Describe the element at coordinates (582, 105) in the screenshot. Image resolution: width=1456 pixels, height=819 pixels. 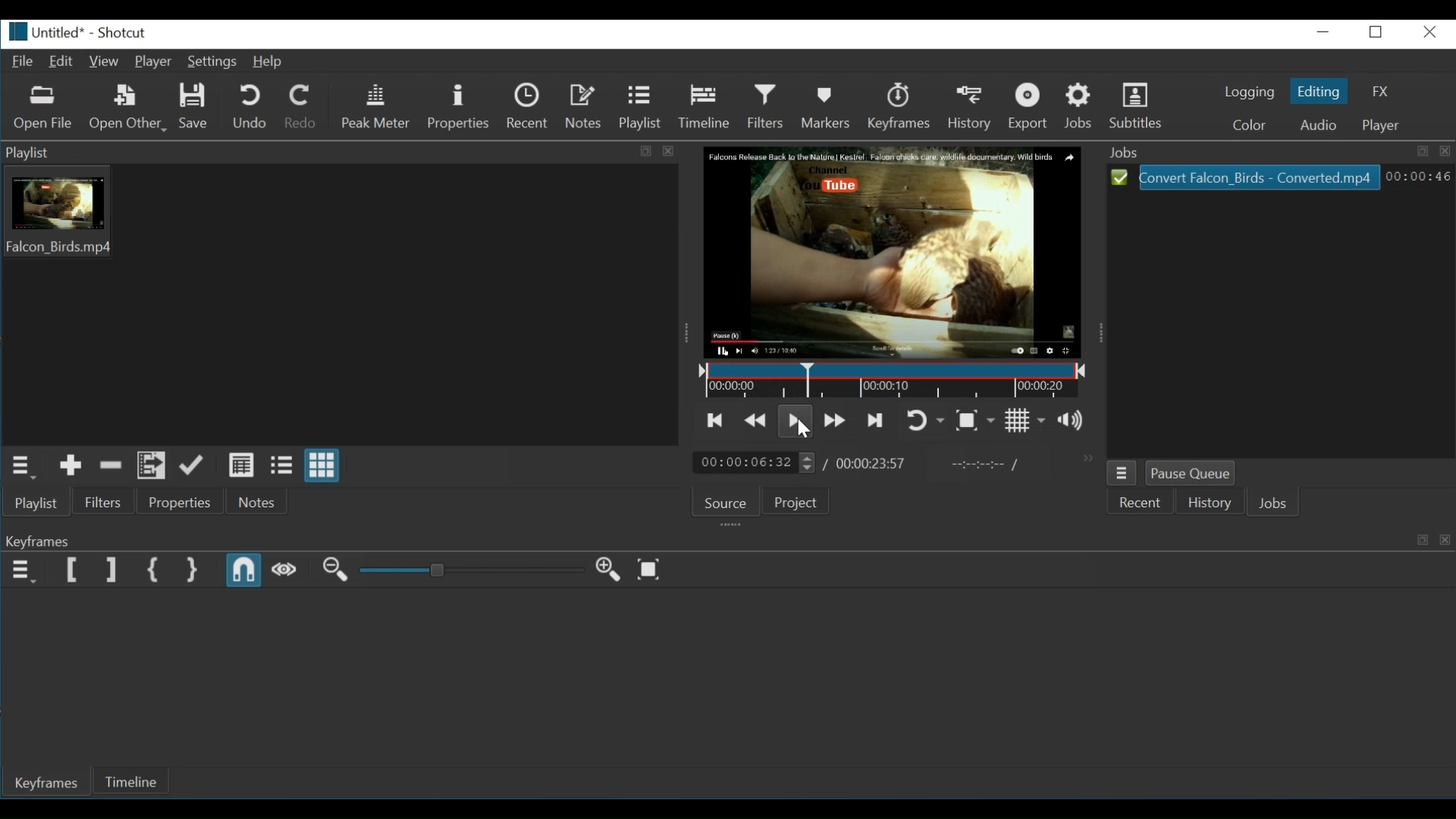
I see `Notes` at that location.